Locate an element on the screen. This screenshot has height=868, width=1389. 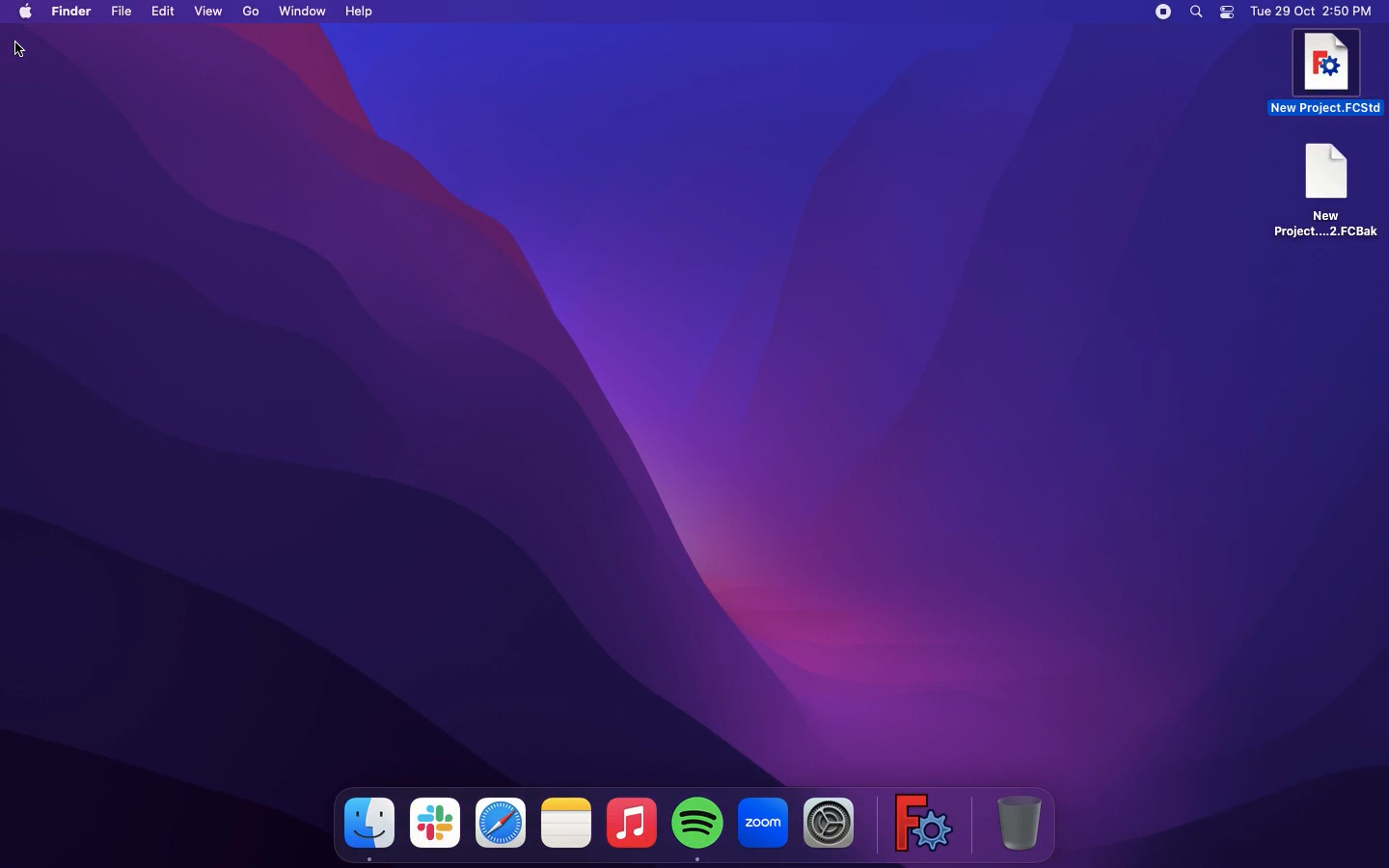
FreeCAD is located at coordinates (919, 820).